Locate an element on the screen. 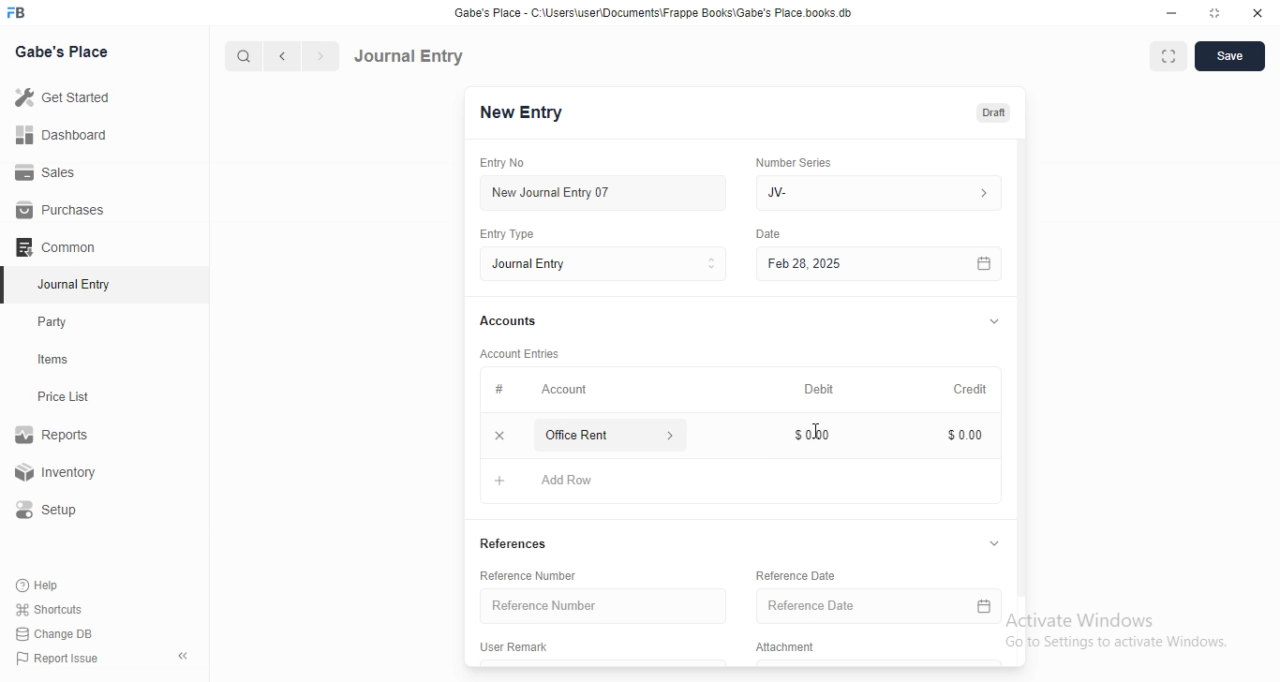  FB logo is located at coordinates (18, 13).